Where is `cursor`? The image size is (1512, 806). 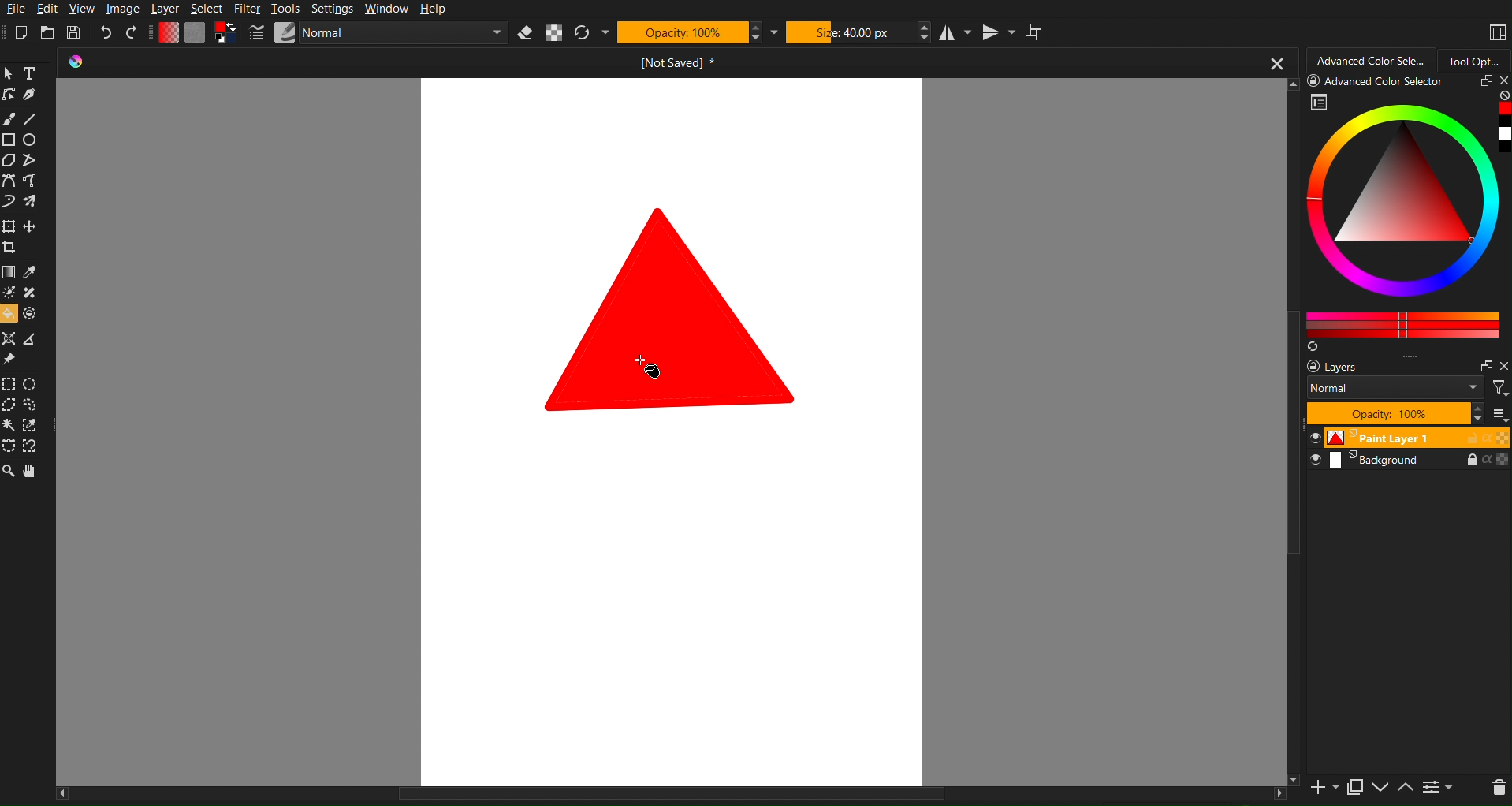
cursor is located at coordinates (656, 368).